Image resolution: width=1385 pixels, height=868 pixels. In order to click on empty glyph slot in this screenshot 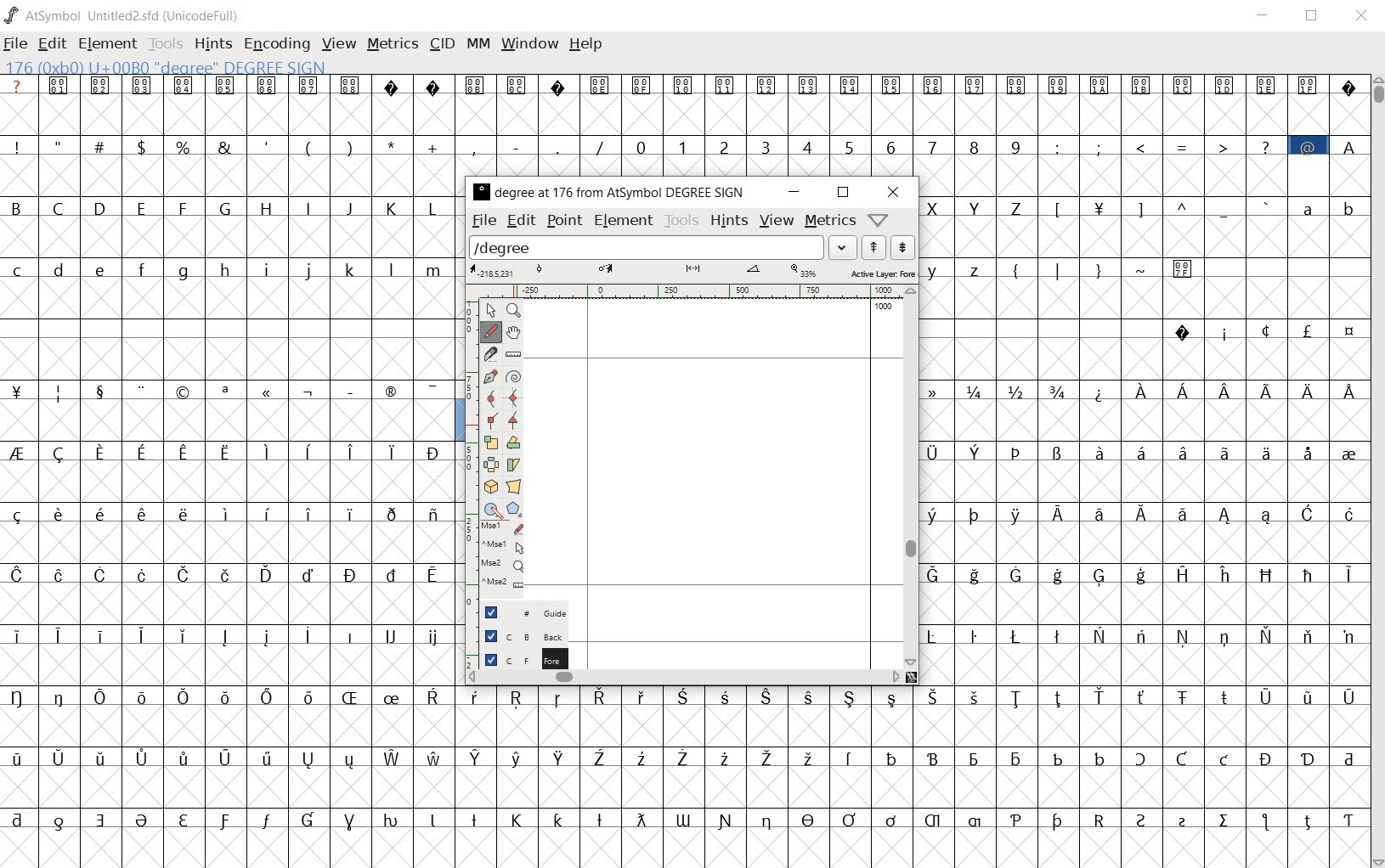, I will do `click(229, 786)`.